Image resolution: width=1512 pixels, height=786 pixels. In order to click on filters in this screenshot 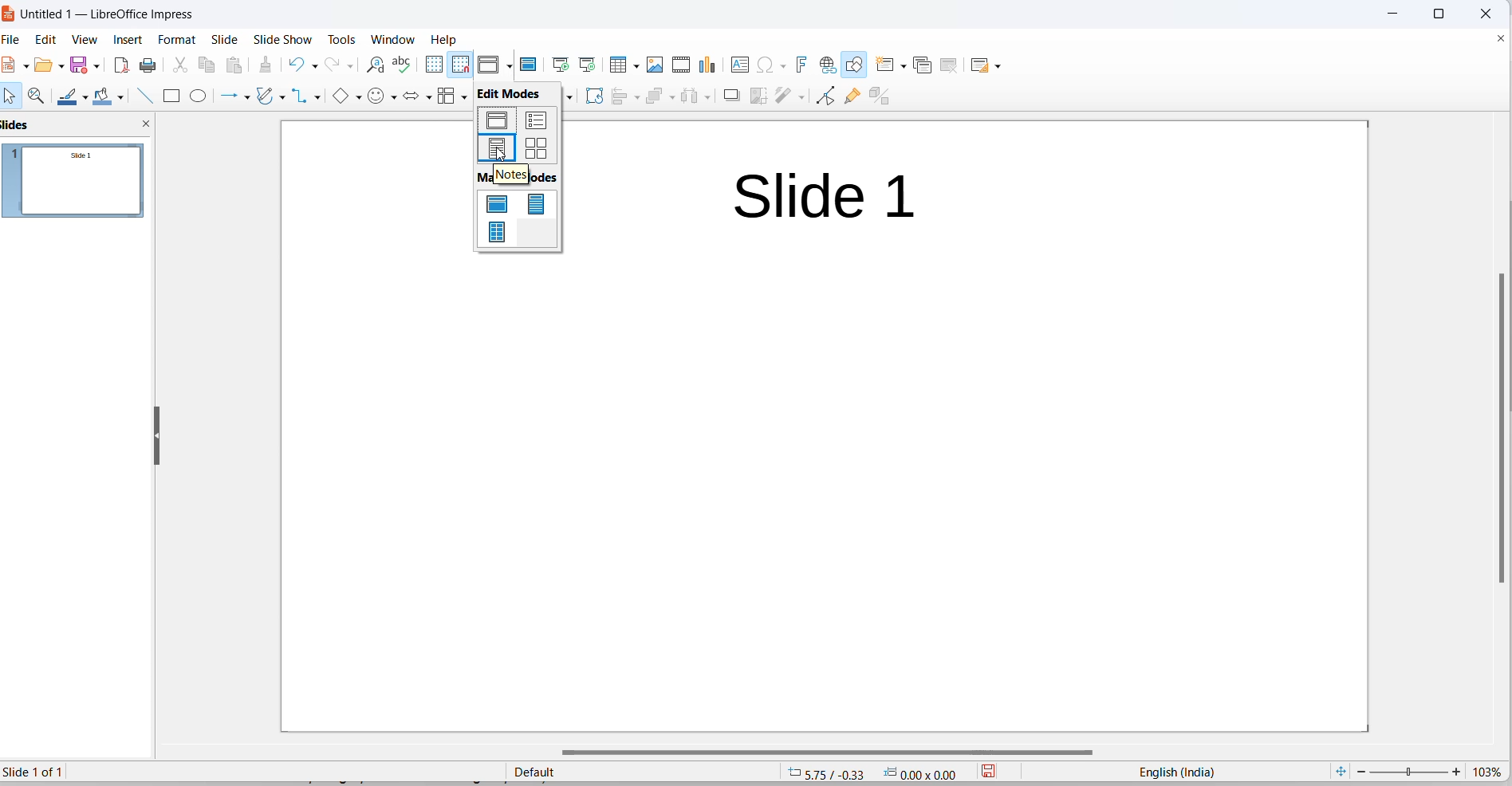, I will do `click(781, 97)`.